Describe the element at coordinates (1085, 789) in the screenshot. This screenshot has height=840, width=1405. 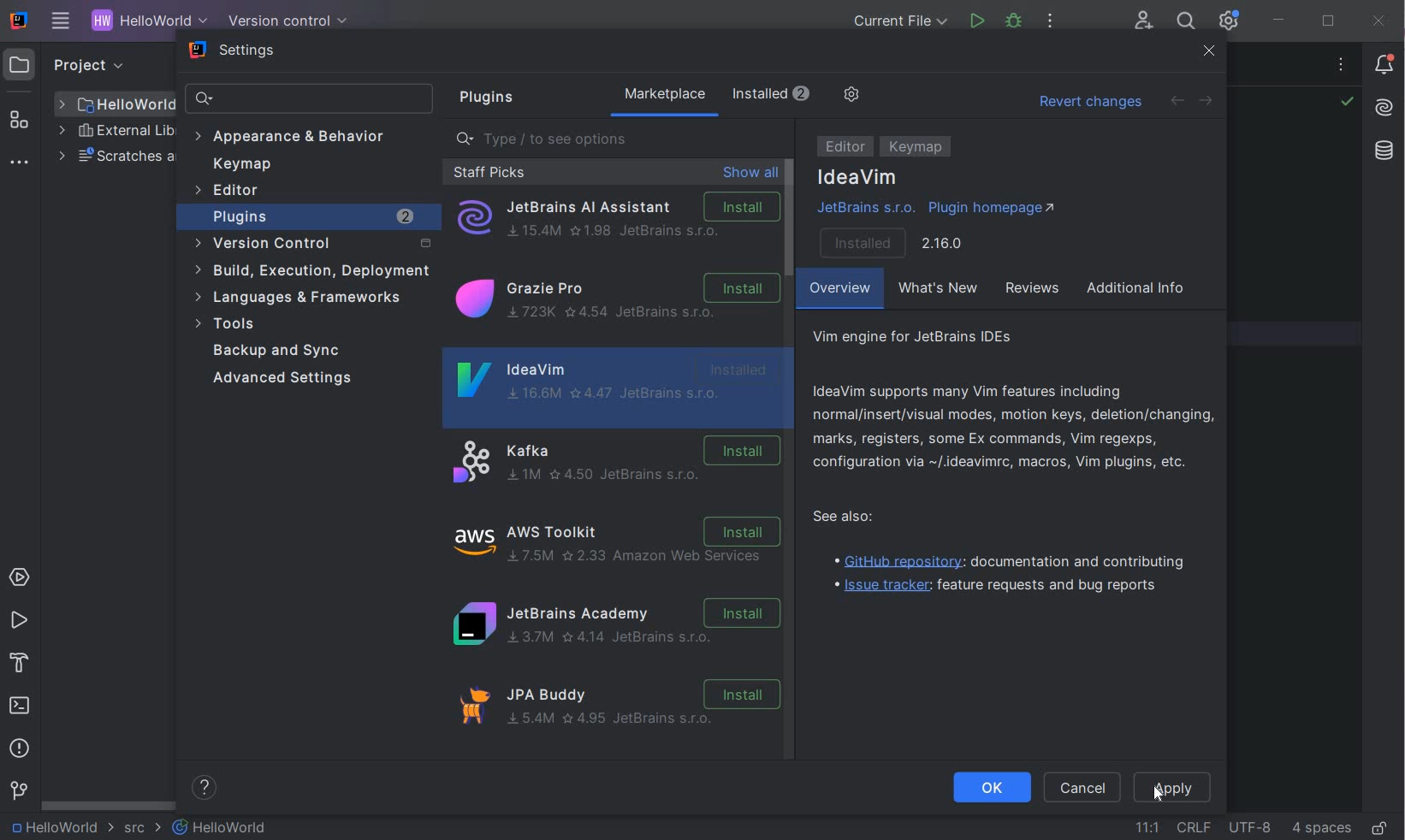
I see `CANEL` at that location.